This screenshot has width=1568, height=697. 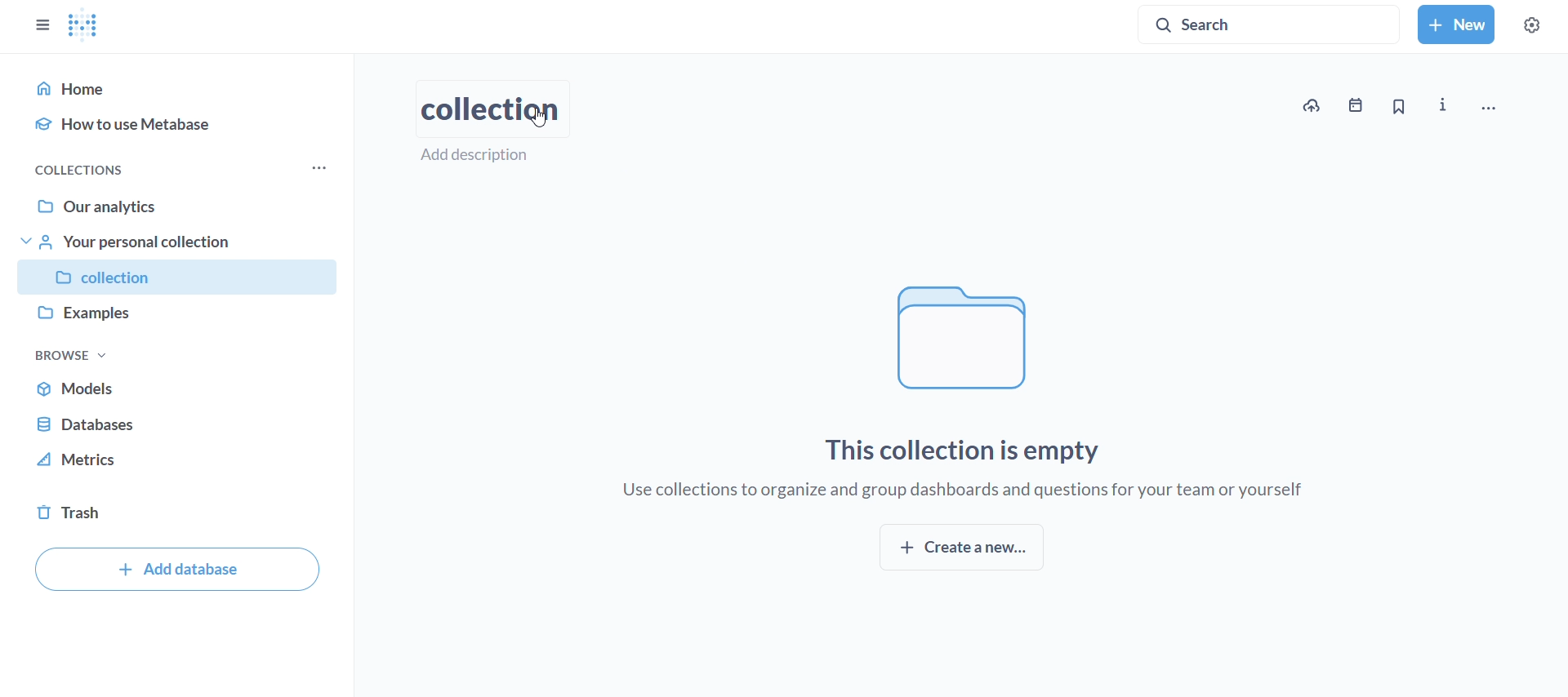 I want to click on collection , so click(x=179, y=278).